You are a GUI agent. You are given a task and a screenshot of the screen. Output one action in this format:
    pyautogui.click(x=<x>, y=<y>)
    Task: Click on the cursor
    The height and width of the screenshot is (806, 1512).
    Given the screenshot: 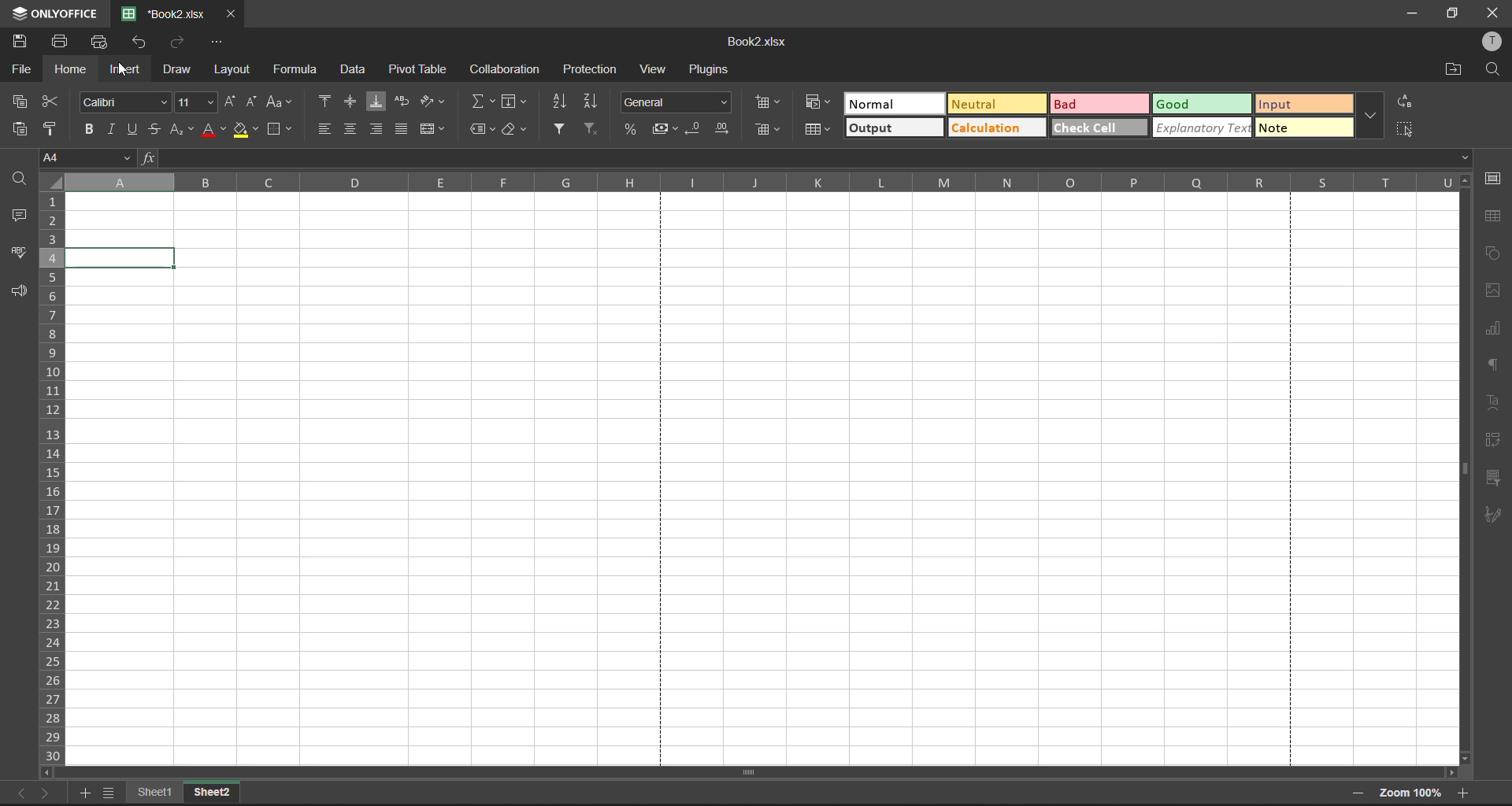 What is the action you would take?
    pyautogui.click(x=124, y=72)
    